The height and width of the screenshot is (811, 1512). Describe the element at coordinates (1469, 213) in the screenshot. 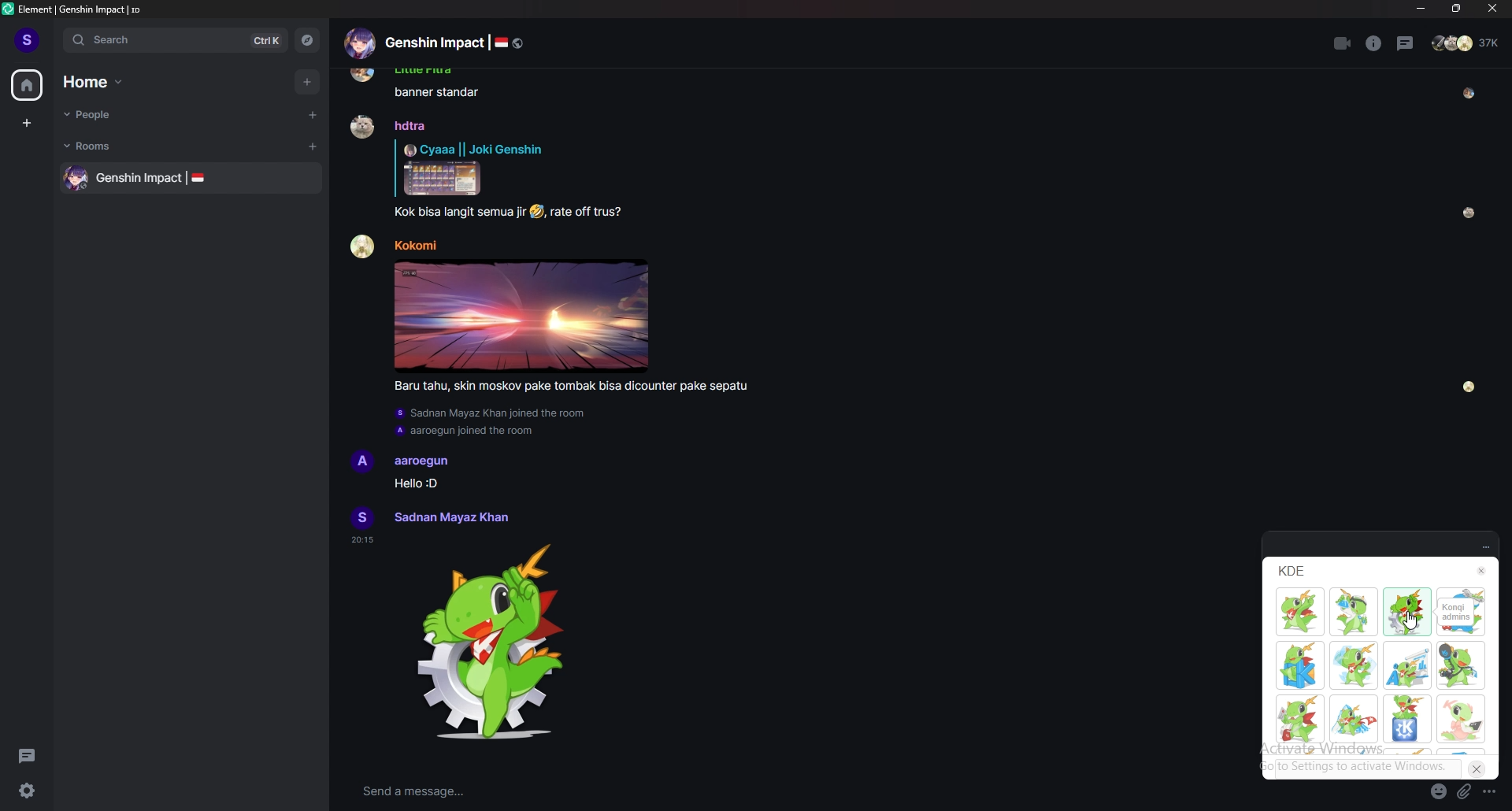

I see `seen by` at that location.